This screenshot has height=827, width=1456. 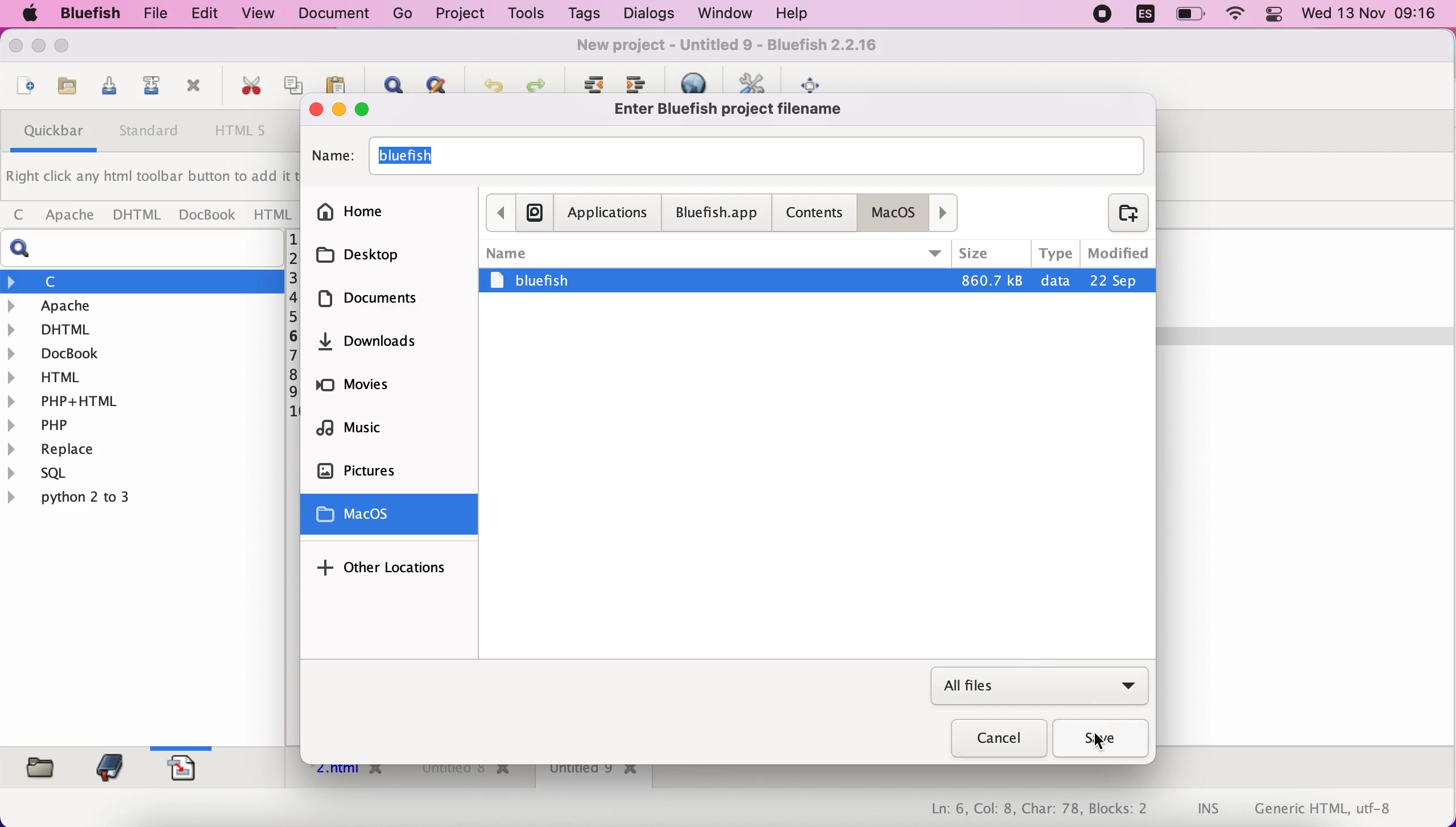 What do you see at coordinates (721, 14) in the screenshot?
I see `window` at bounding box center [721, 14].